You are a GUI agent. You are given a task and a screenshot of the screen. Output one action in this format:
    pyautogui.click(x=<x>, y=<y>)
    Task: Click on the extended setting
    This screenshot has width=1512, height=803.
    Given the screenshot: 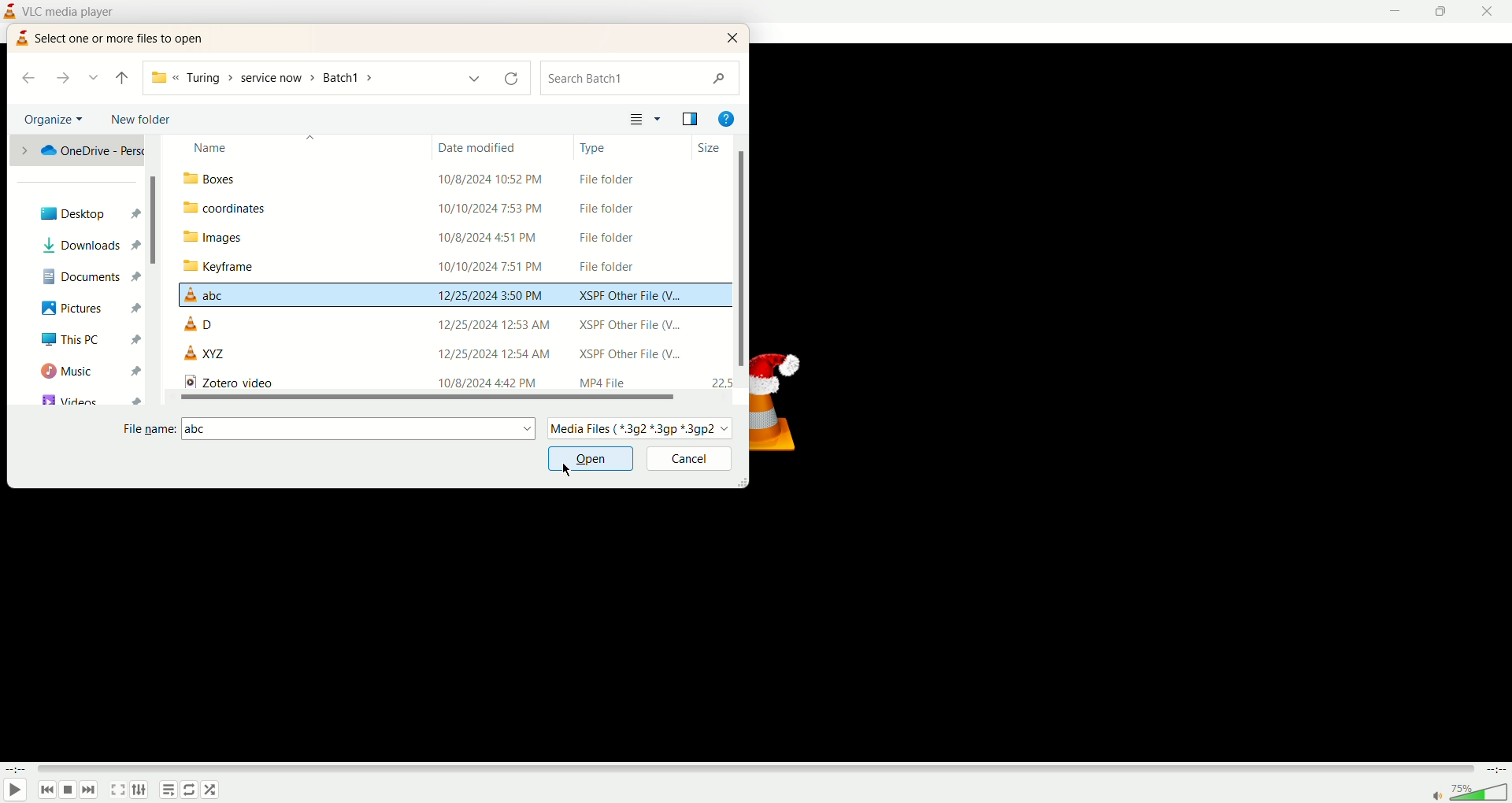 What is the action you would take?
    pyautogui.click(x=139, y=790)
    